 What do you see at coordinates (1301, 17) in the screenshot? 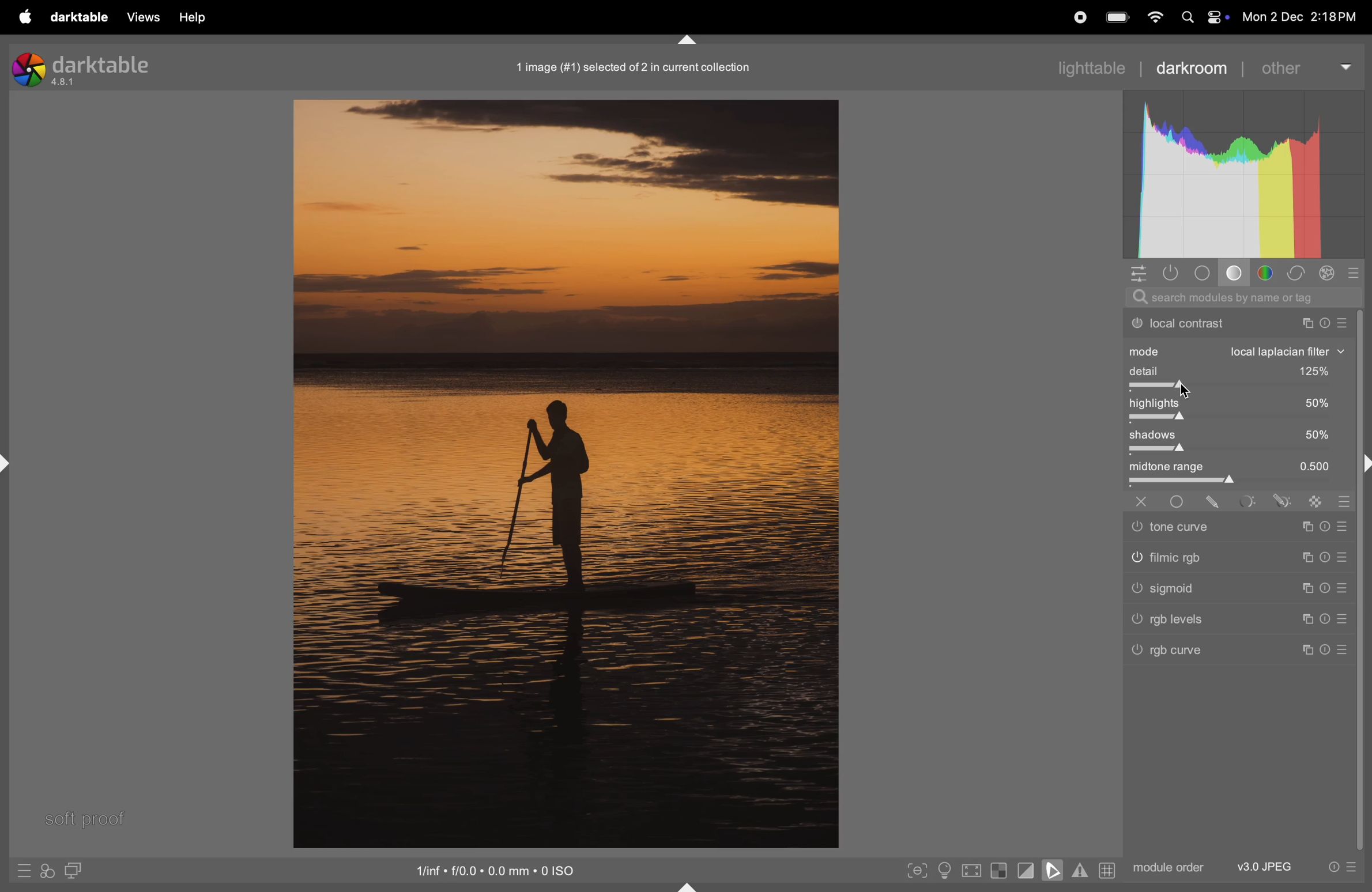
I see `dat and time` at bounding box center [1301, 17].